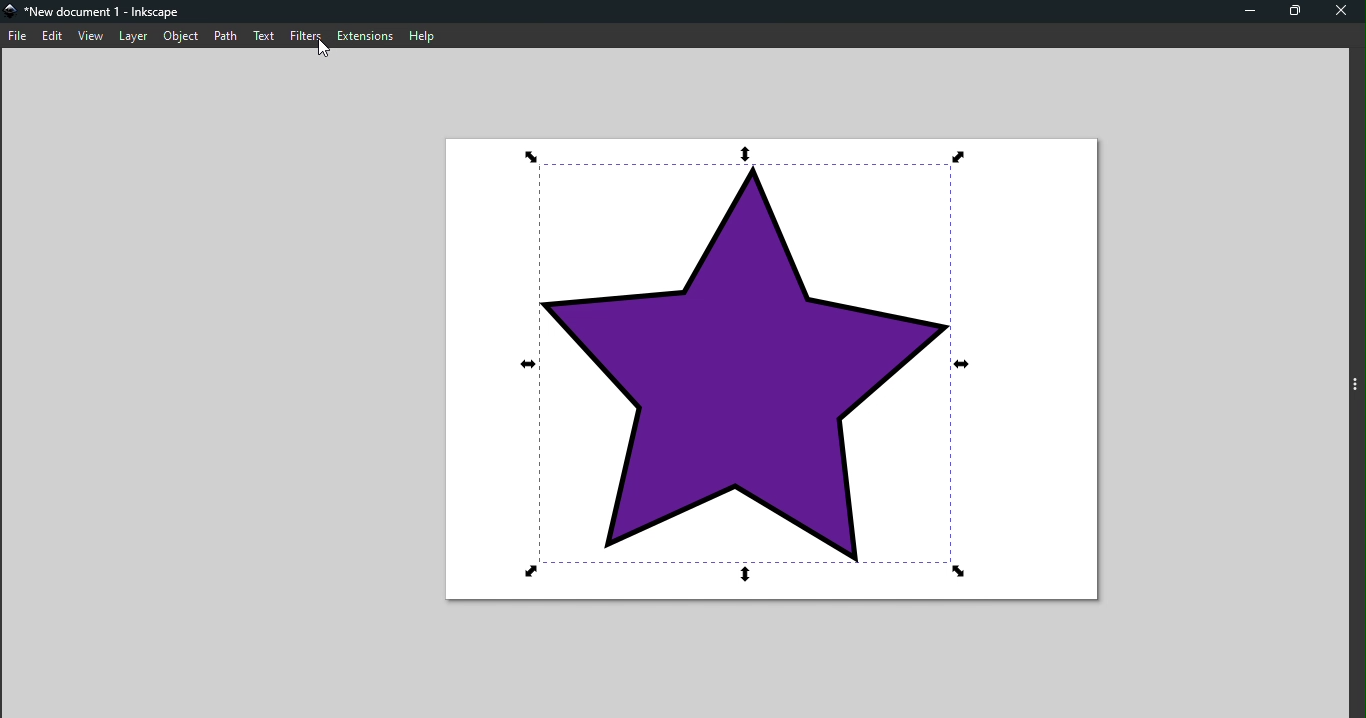  Describe the element at coordinates (420, 34) in the screenshot. I see `Help` at that location.